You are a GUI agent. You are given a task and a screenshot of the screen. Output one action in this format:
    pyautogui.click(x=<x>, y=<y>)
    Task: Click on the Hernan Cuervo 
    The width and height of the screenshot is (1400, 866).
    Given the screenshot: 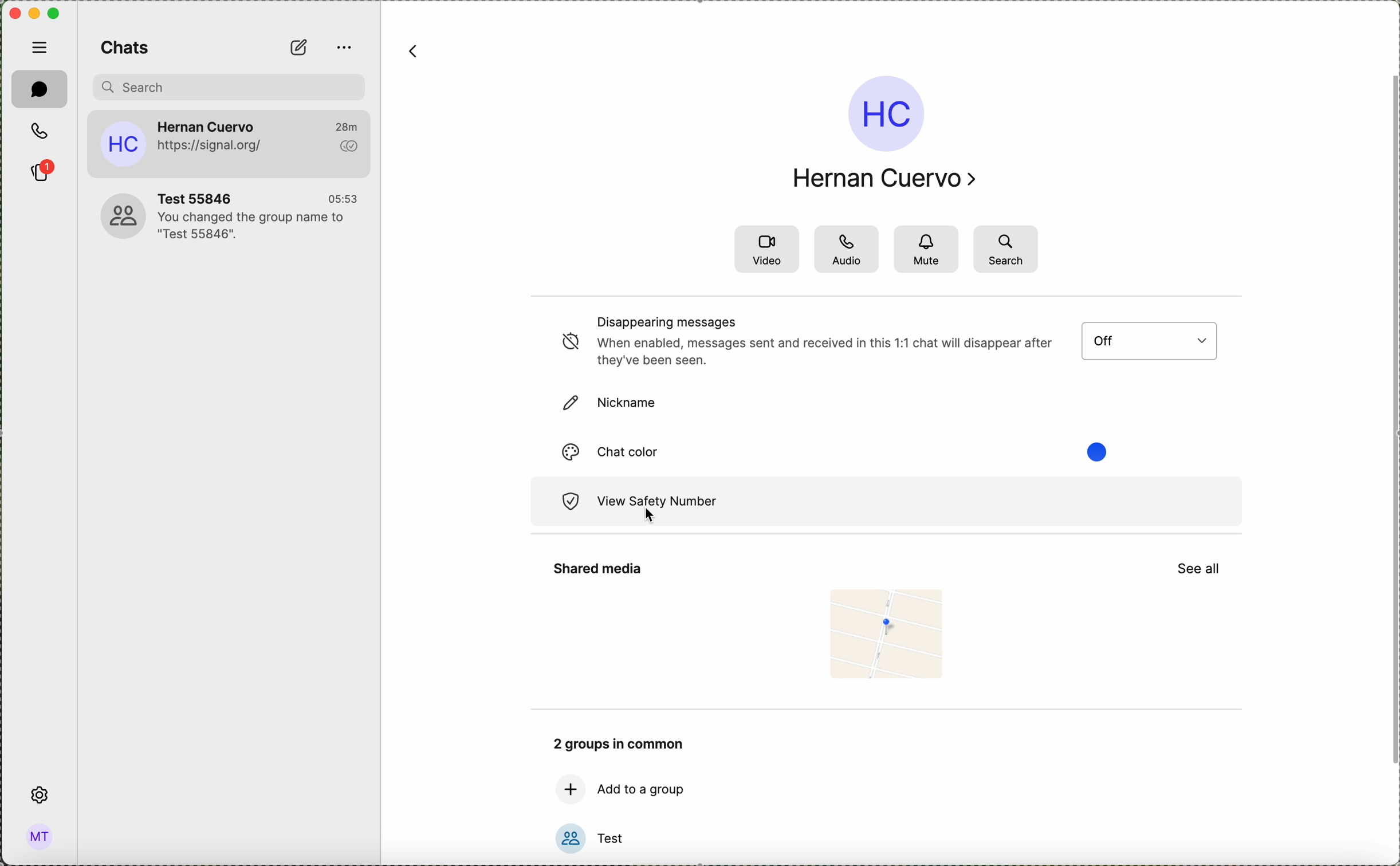 What is the action you would take?
    pyautogui.click(x=207, y=123)
    